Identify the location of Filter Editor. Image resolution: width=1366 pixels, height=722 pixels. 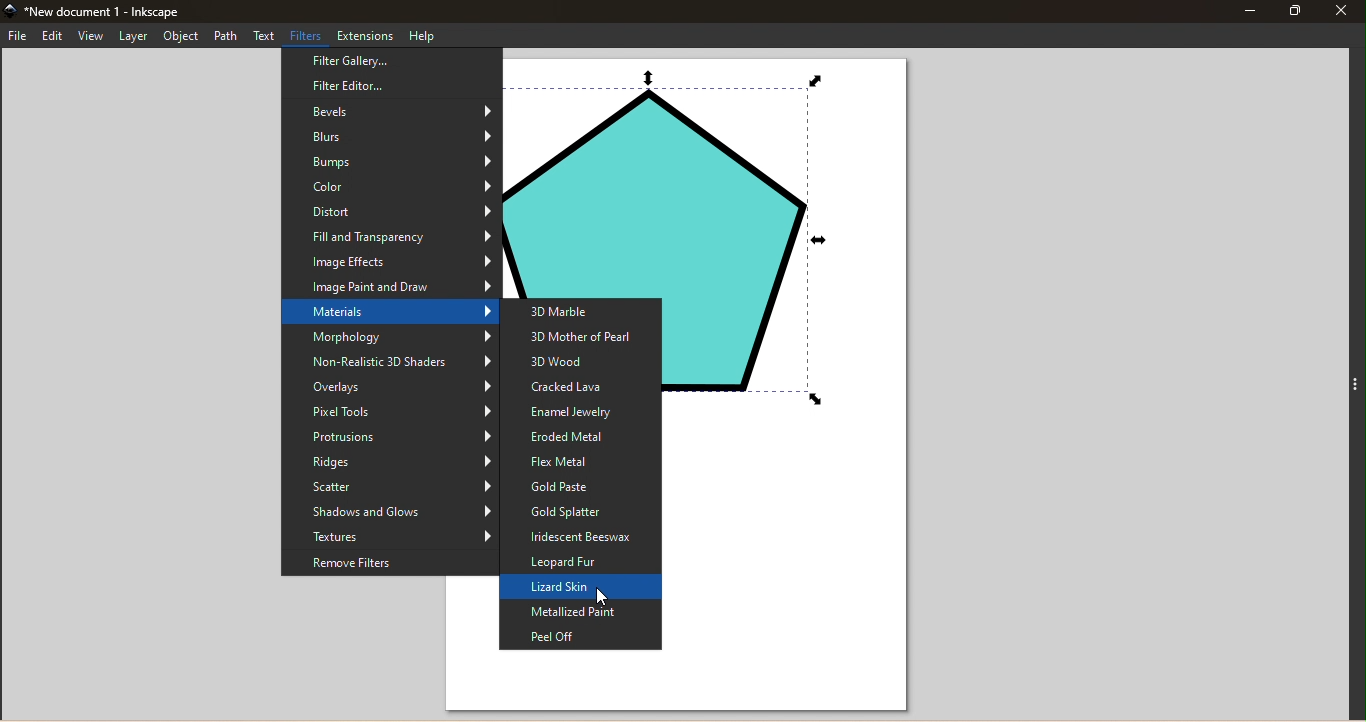
(391, 85).